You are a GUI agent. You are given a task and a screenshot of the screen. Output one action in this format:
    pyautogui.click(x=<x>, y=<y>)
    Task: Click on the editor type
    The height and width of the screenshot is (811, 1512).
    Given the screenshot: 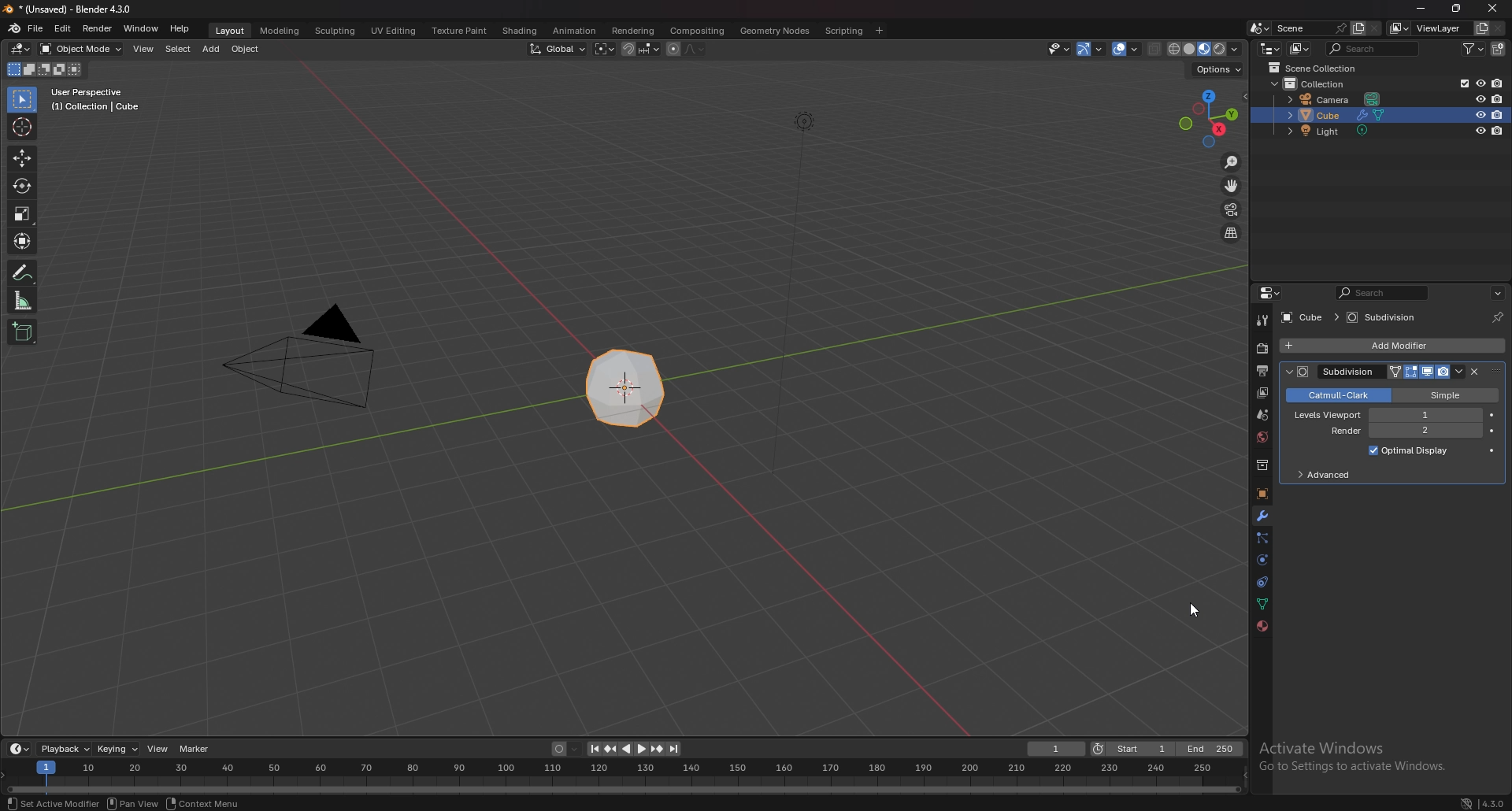 What is the action you would take?
    pyautogui.click(x=20, y=749)
    